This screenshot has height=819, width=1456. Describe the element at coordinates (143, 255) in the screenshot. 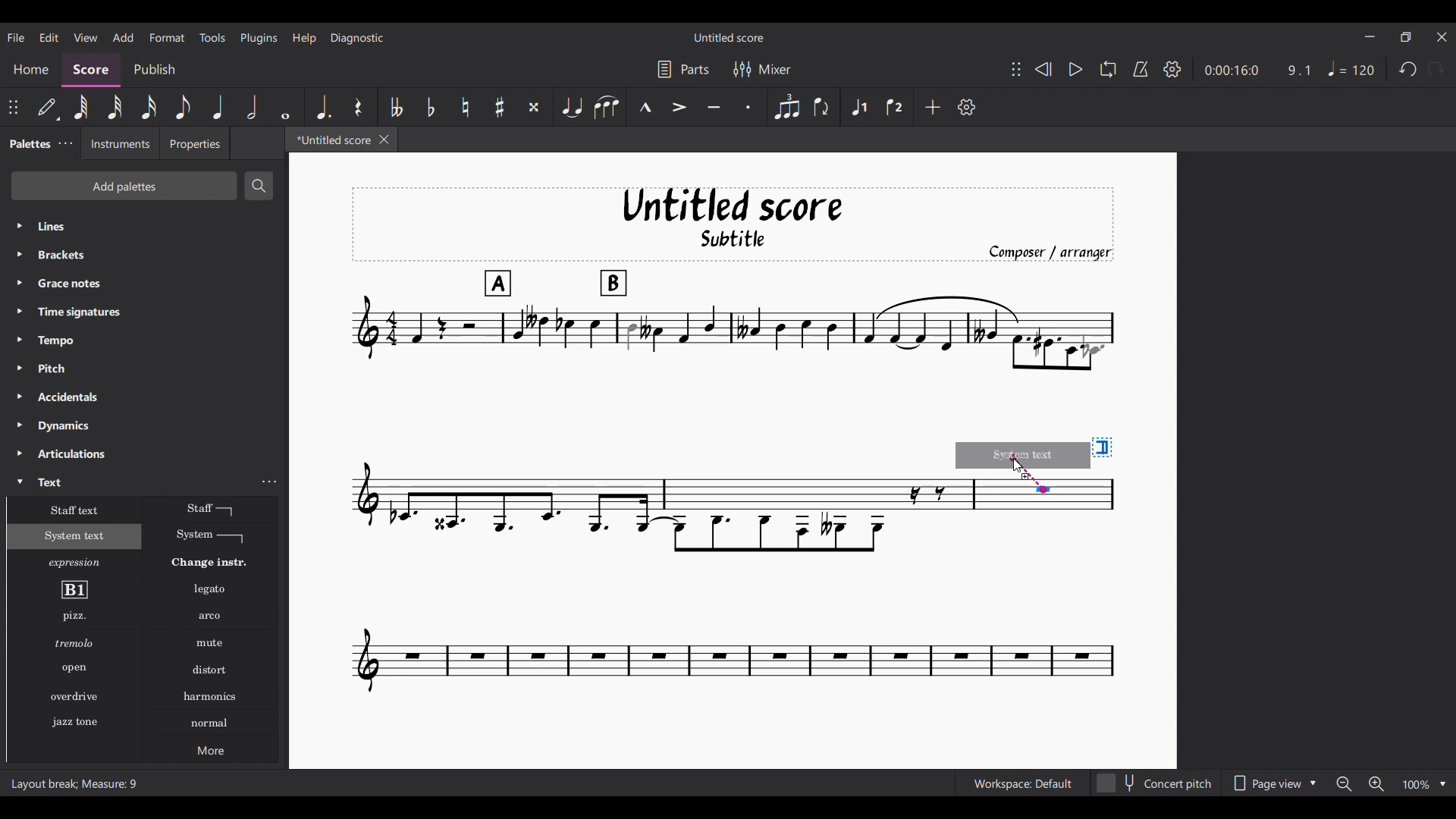

I see `Brackets` at that location.